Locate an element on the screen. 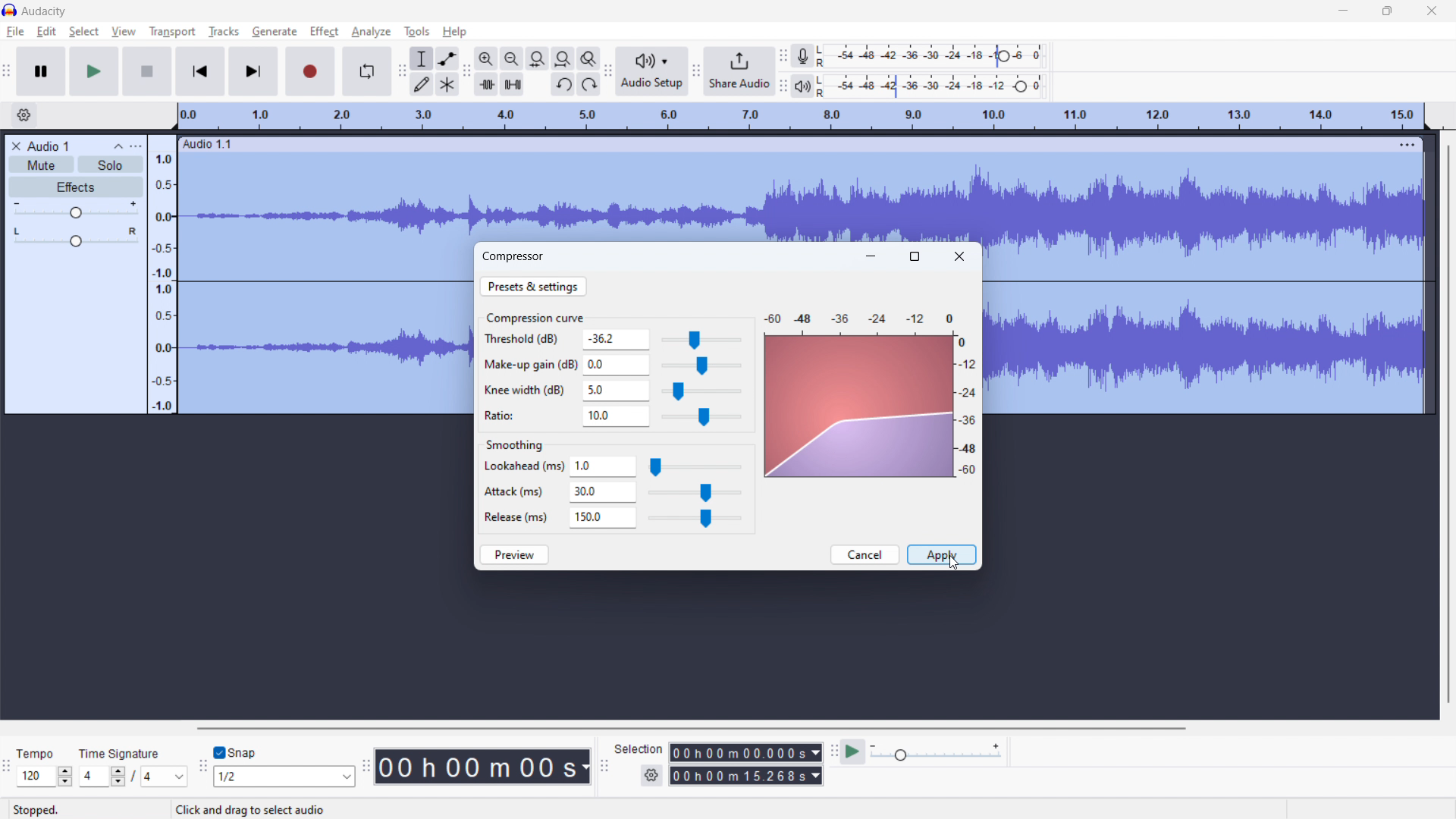  silence audio selection is located at coordinates (512, 84).